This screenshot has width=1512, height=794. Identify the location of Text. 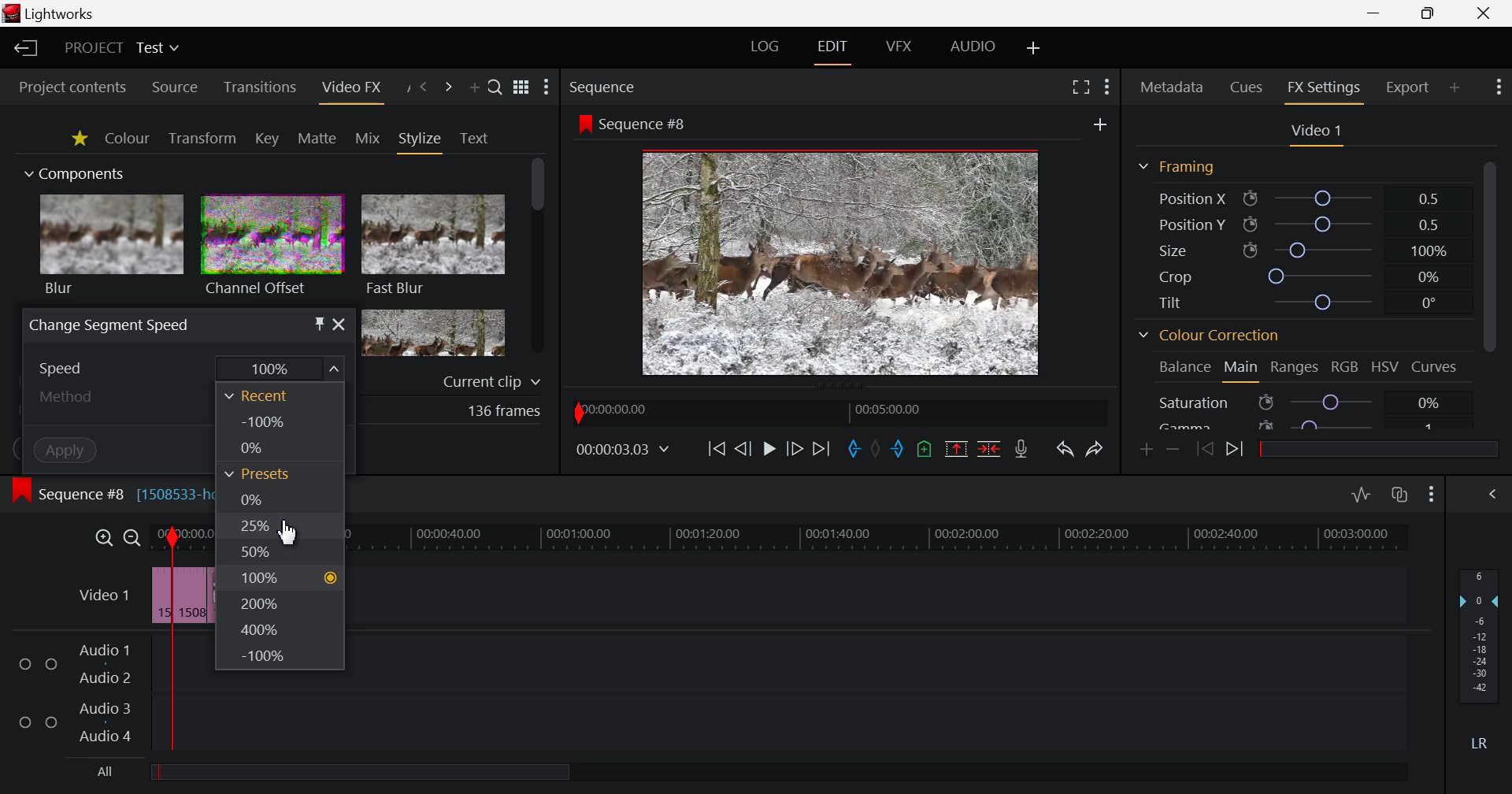
(474, 139).